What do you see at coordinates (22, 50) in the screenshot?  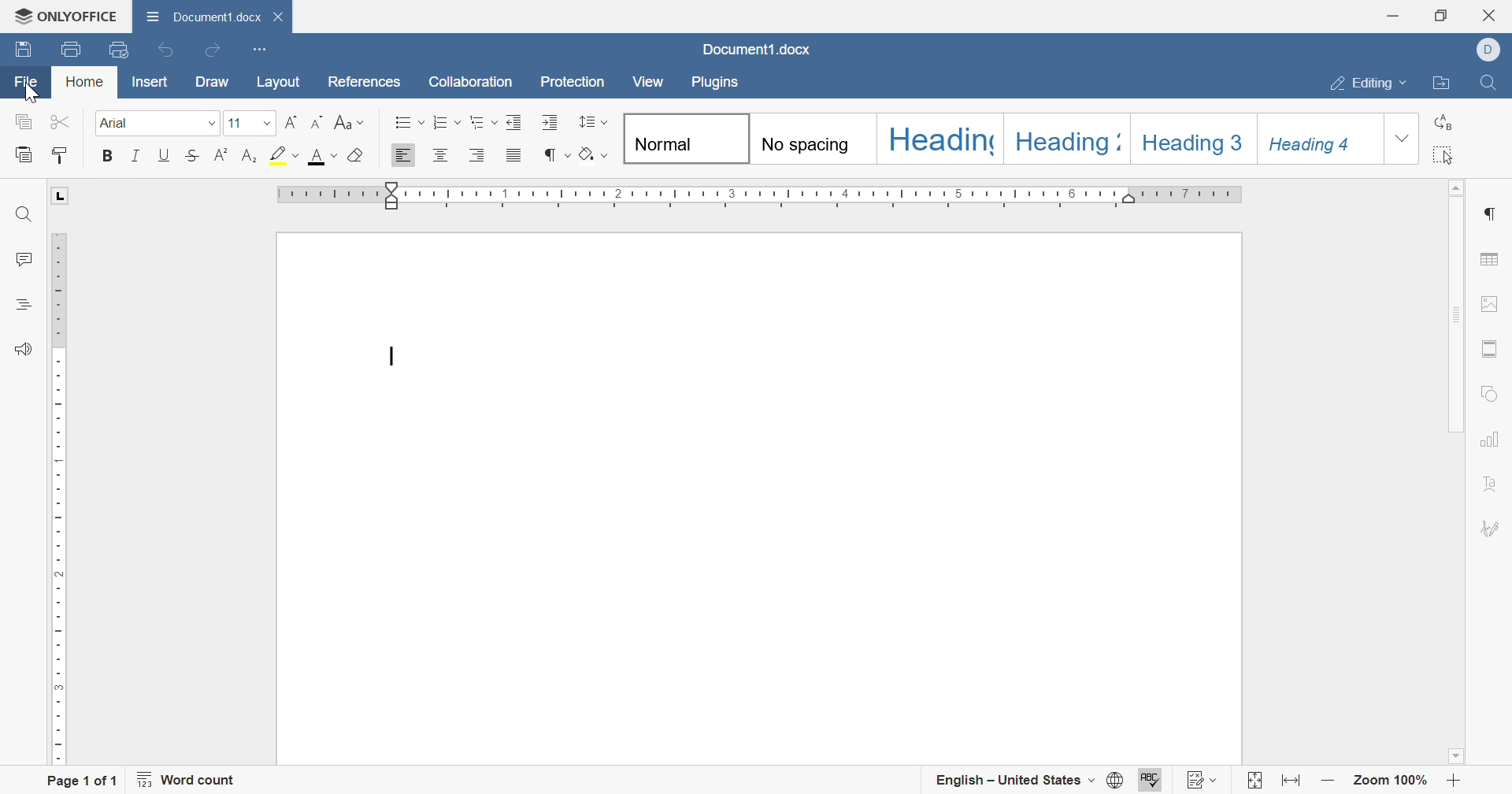 I see `save` at bounding box center [22, 50].